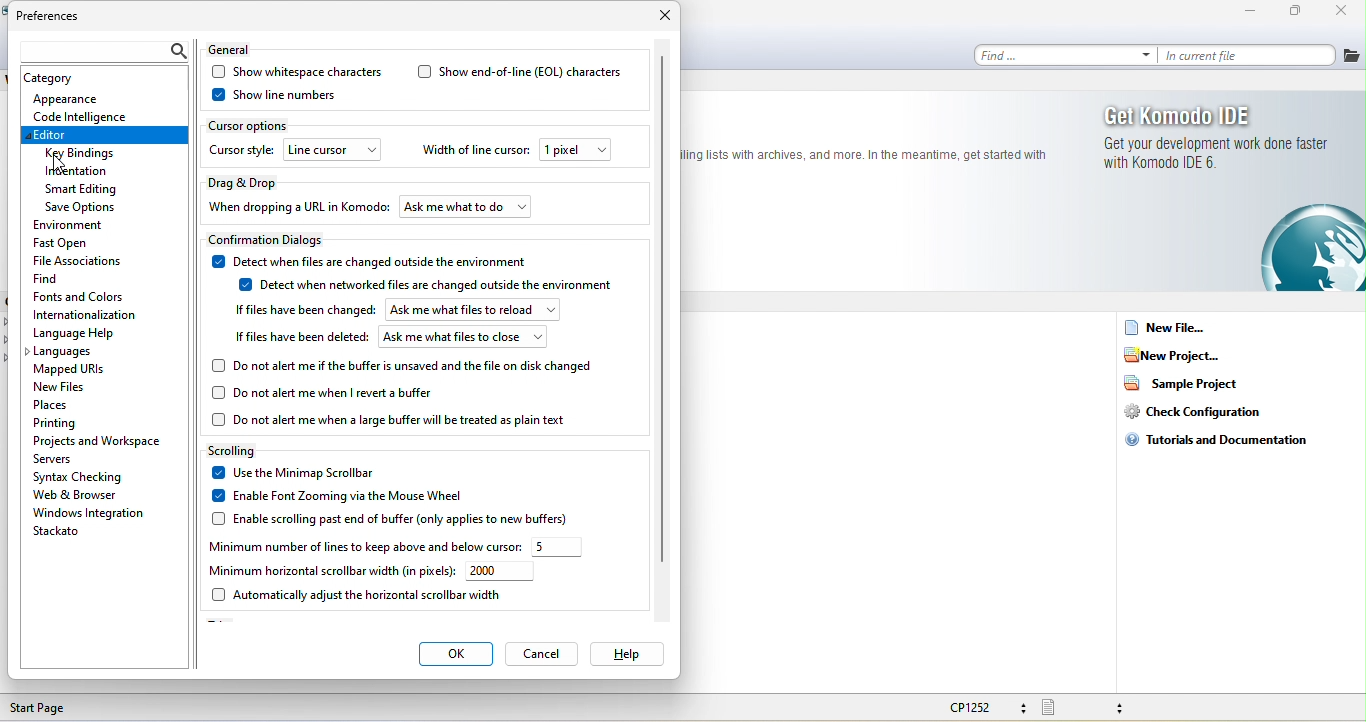 This screenshot has width=1366, height=722. What do you see at coordinates (1223, 438) in the screenshot?
I see `tutorials and documentation` at bounding box center [1223, 438].